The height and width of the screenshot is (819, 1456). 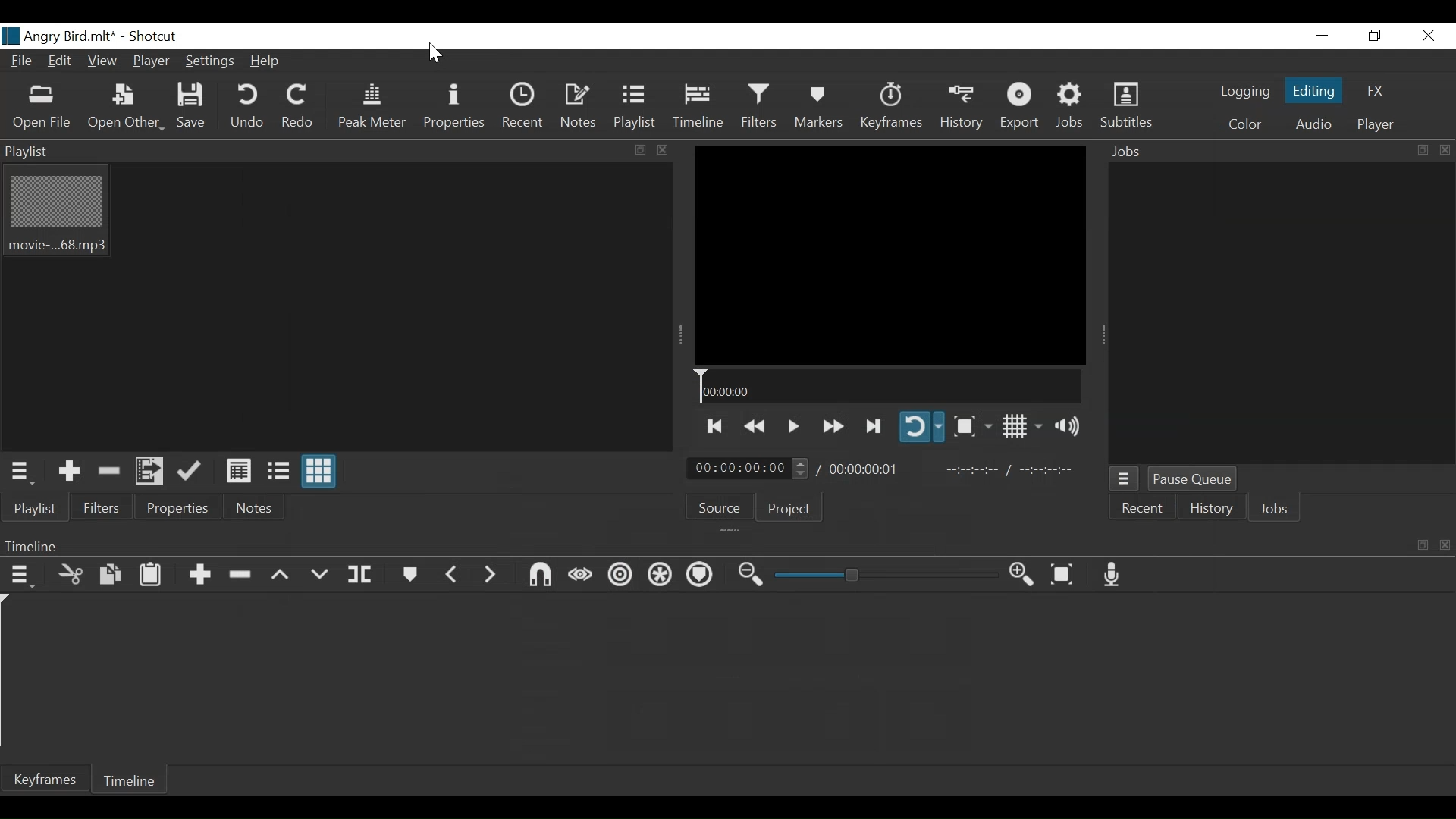 What do you see at coordinates (716, 424) in the screenshot?
I see `Skip to the next to point` at bounding box center [716, 424].